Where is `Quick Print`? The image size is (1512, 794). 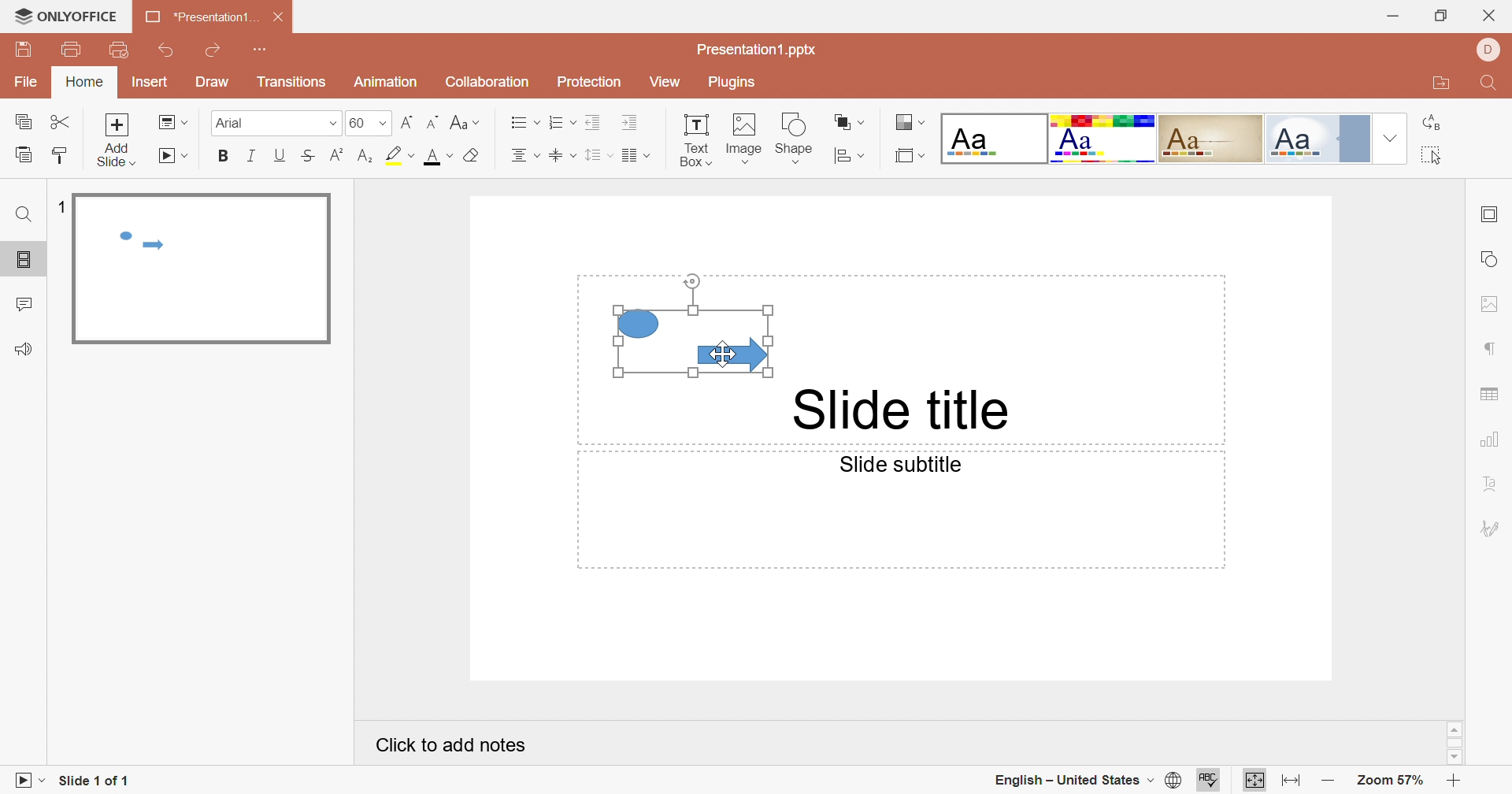
Quick Print is located at coordinates (117, 50).